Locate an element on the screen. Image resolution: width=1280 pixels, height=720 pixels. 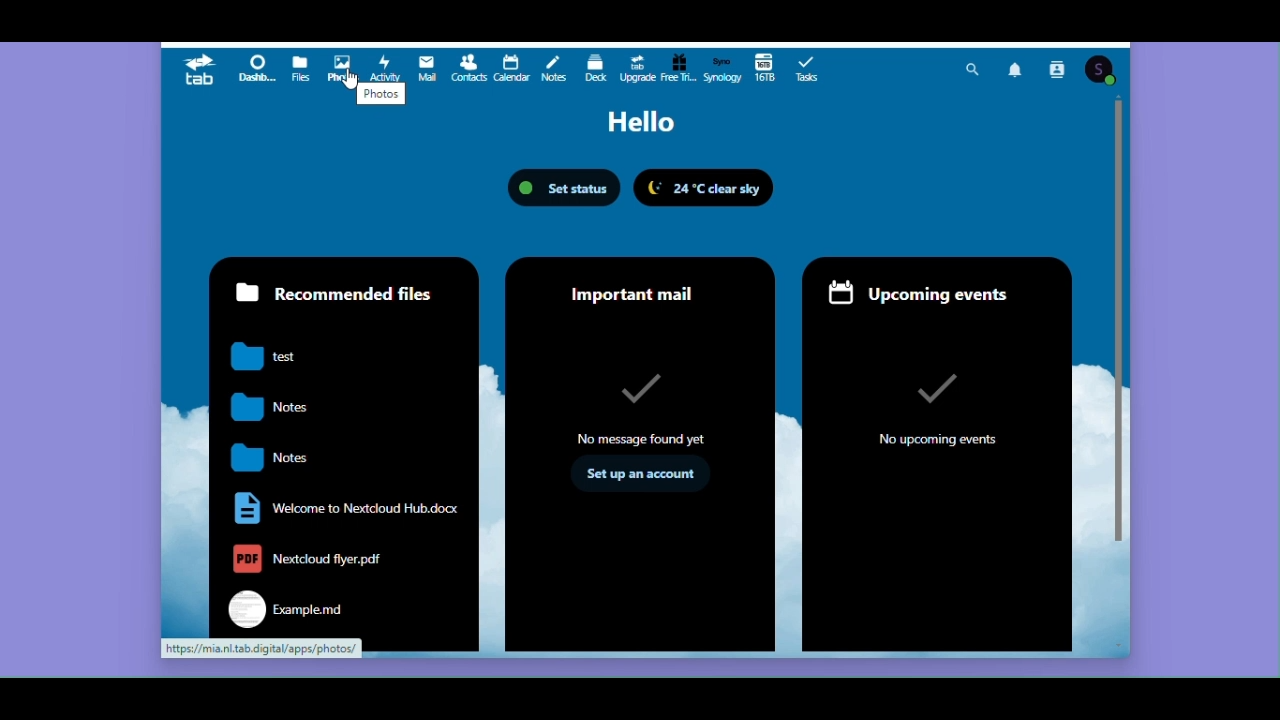
Vertical scroll bar is located at coordinates (1119, 332).